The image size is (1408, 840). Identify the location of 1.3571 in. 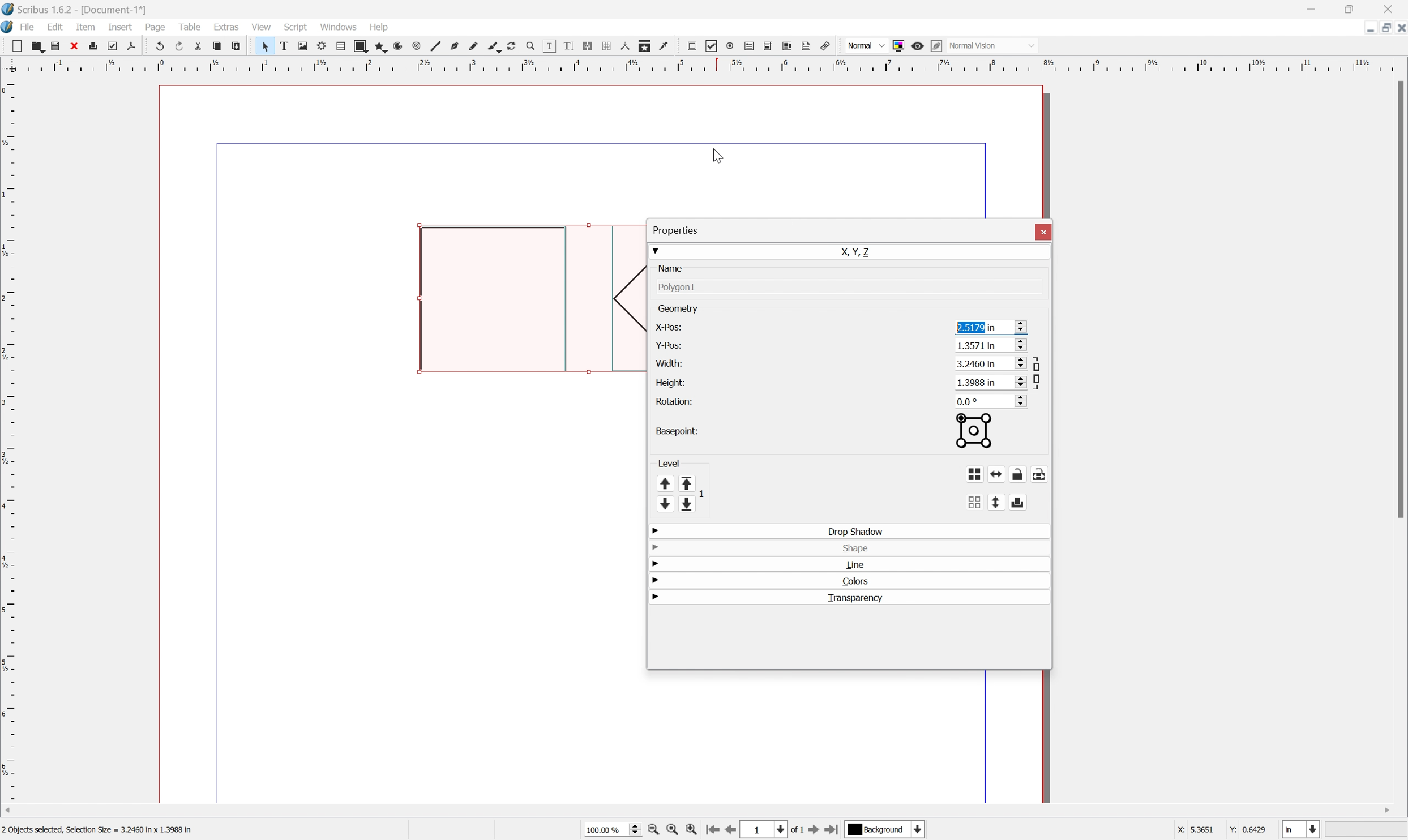
(990, 345).